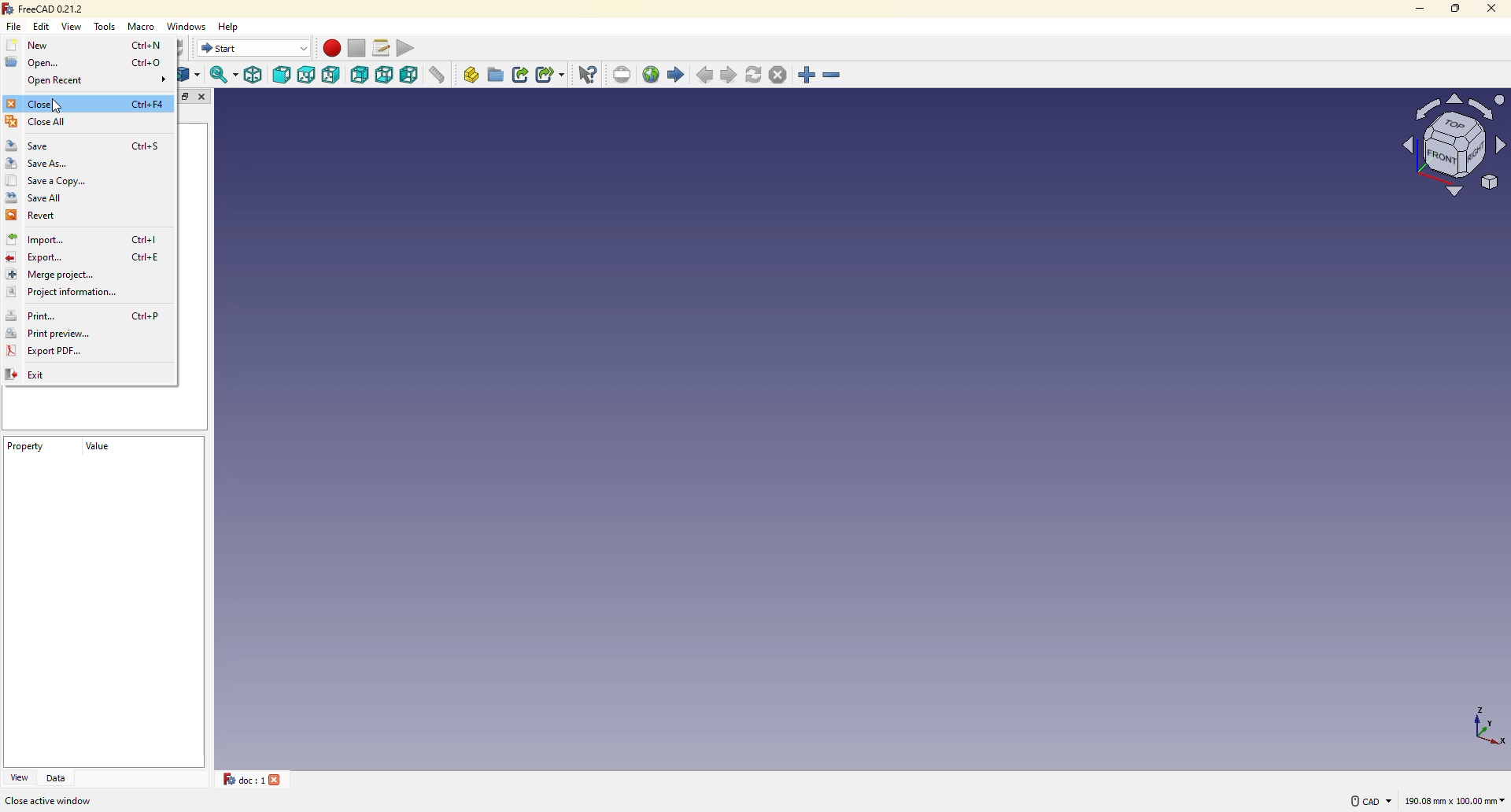 The image size is (1511, 812). I want to click on cursor, so click(57, 105).